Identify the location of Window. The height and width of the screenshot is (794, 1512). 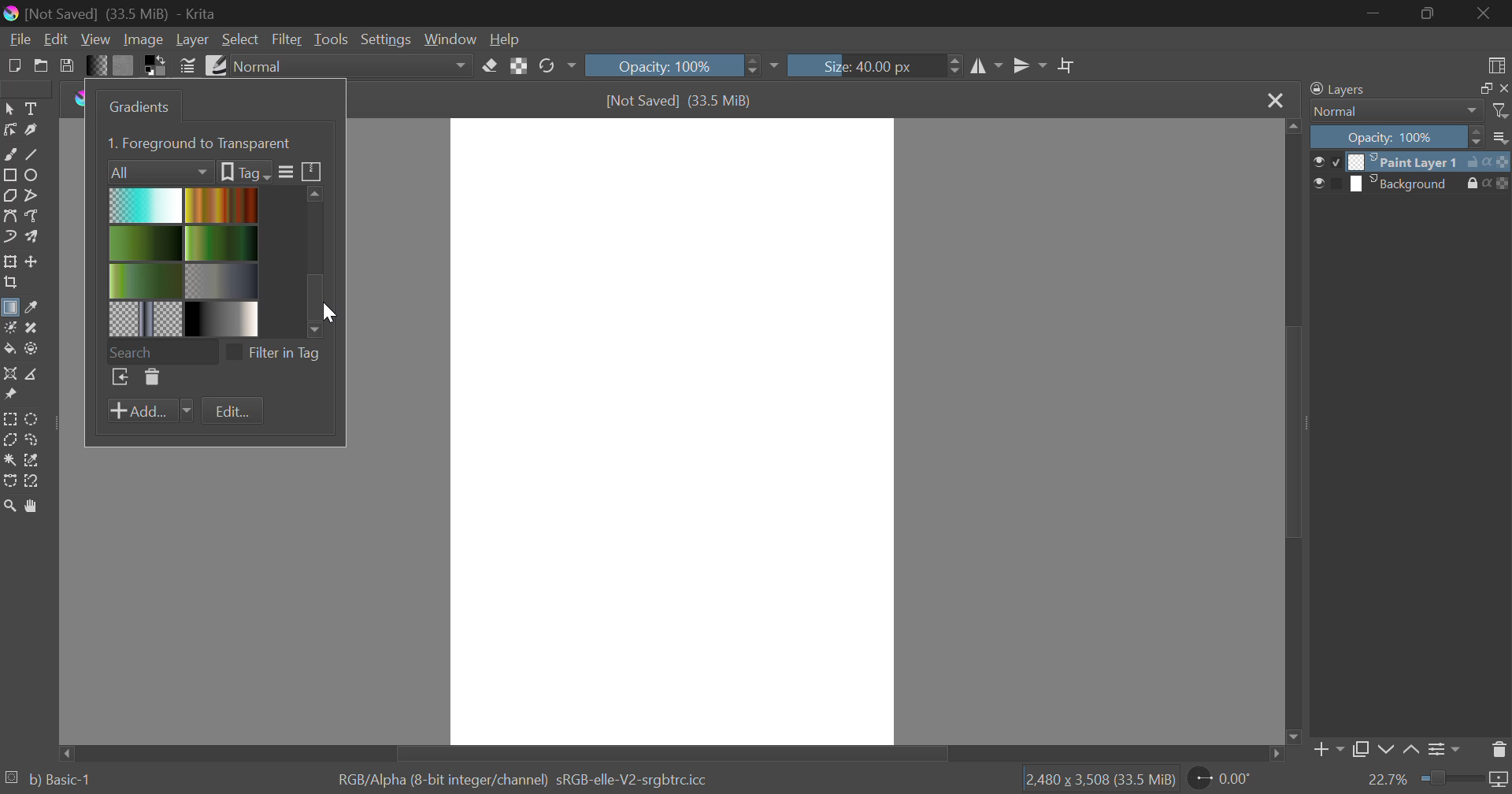
(449, 39).